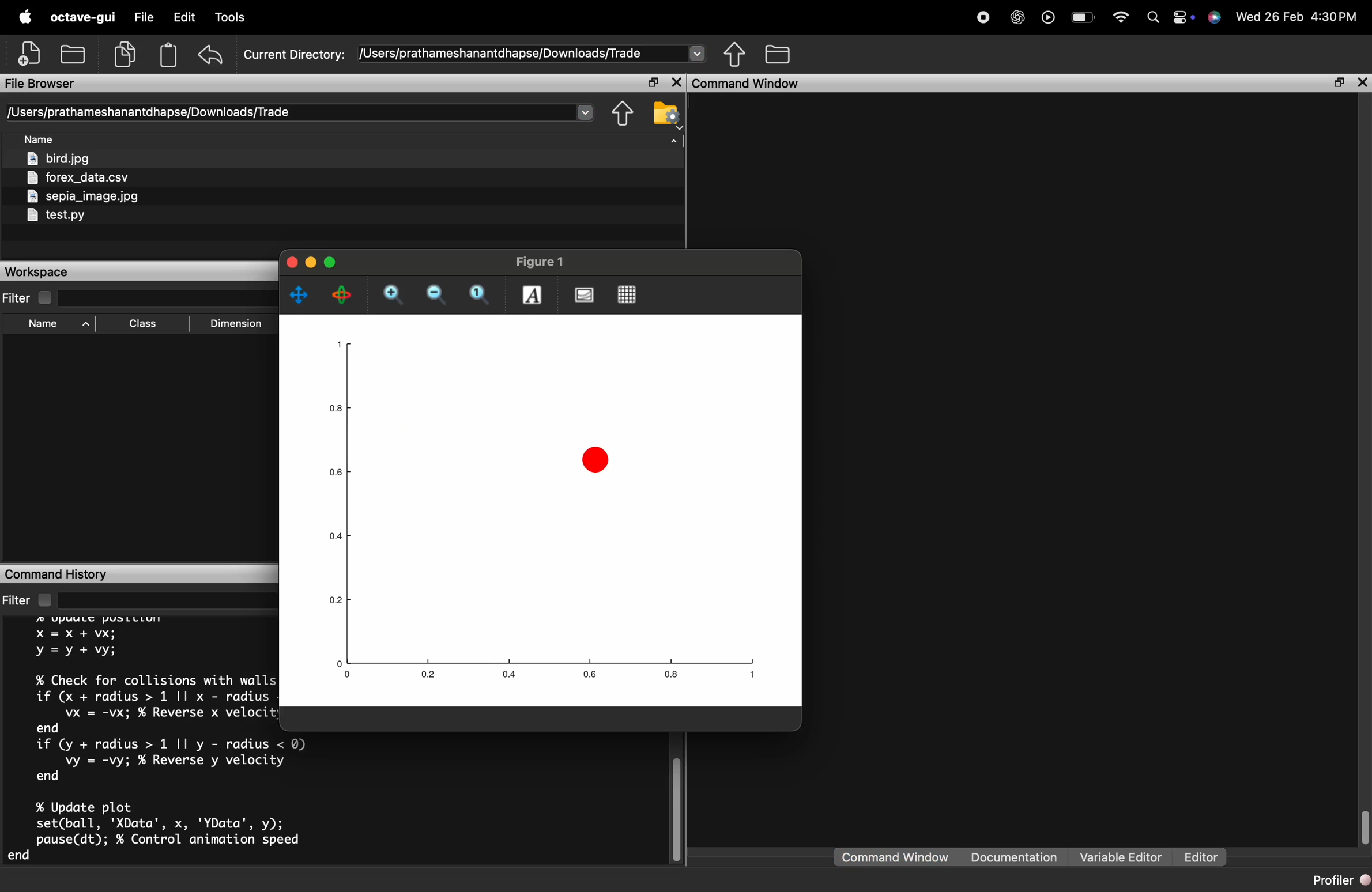 This screenshot has width=1372, height=892. What do you see at coordinates (342, 296) in the screenshot?
I see `rotate` at bounding box center [342, 296].